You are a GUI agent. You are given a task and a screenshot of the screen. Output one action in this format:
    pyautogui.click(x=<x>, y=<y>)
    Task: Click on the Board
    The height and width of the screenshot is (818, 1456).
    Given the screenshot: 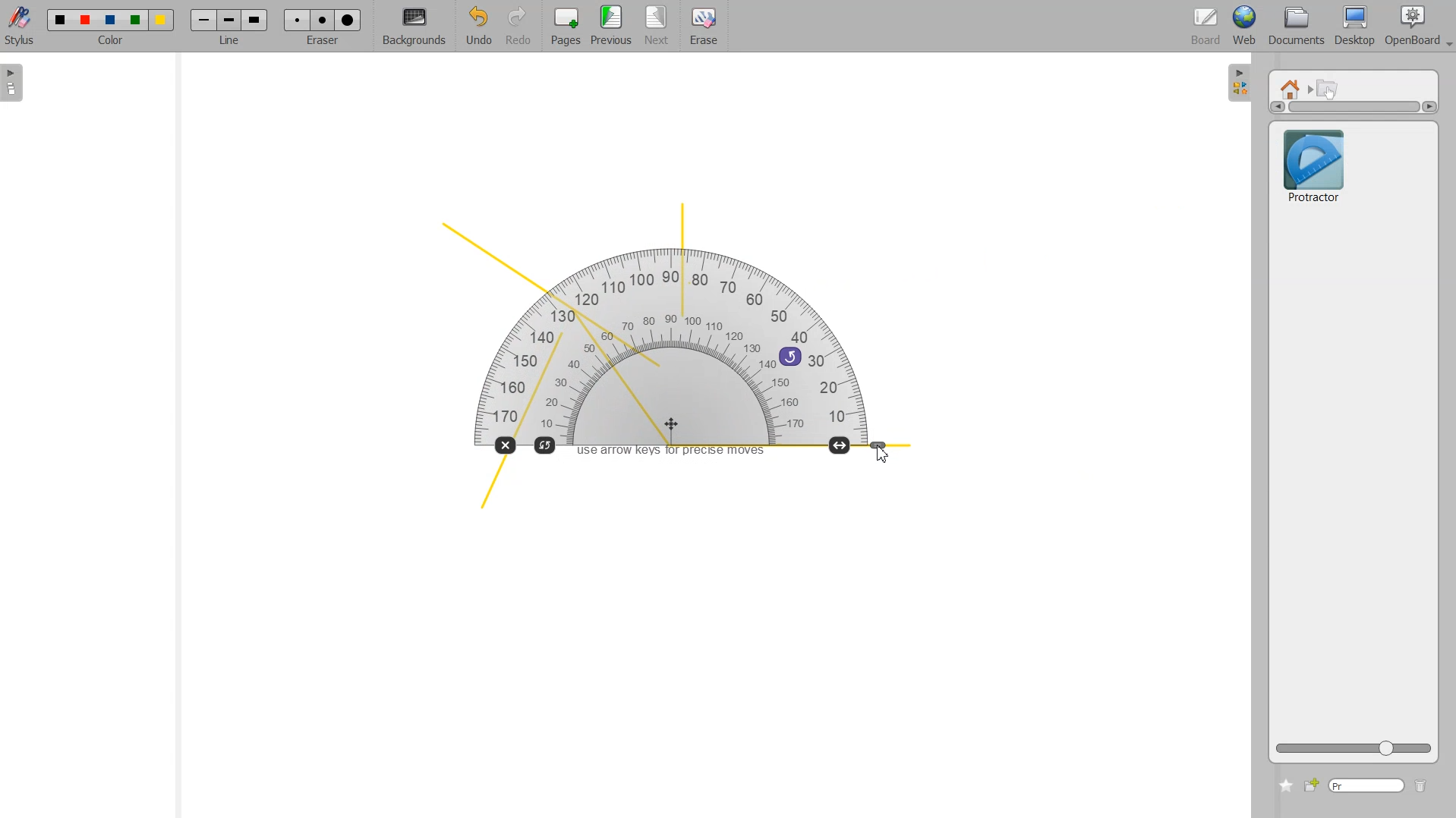 What is the action you would take?
    pyautogui.click(x=1206, y=27)
    